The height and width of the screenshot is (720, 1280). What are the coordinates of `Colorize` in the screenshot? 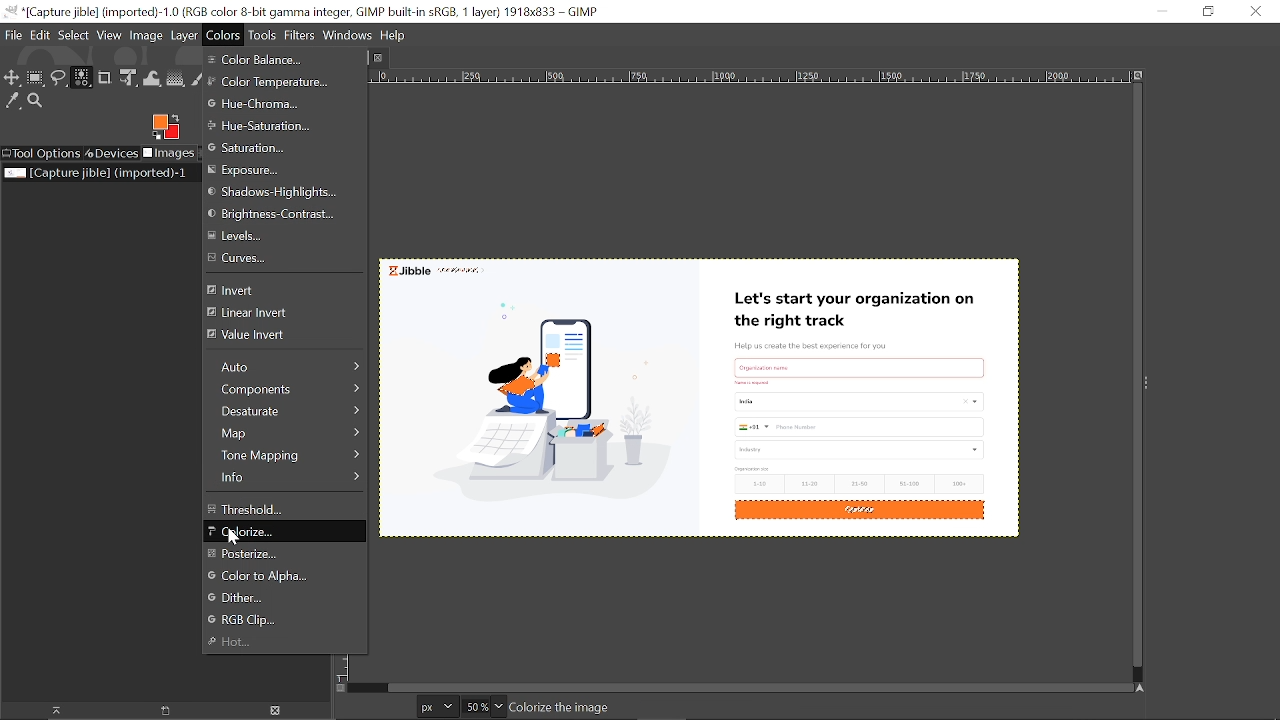 It's located at (283, 533).